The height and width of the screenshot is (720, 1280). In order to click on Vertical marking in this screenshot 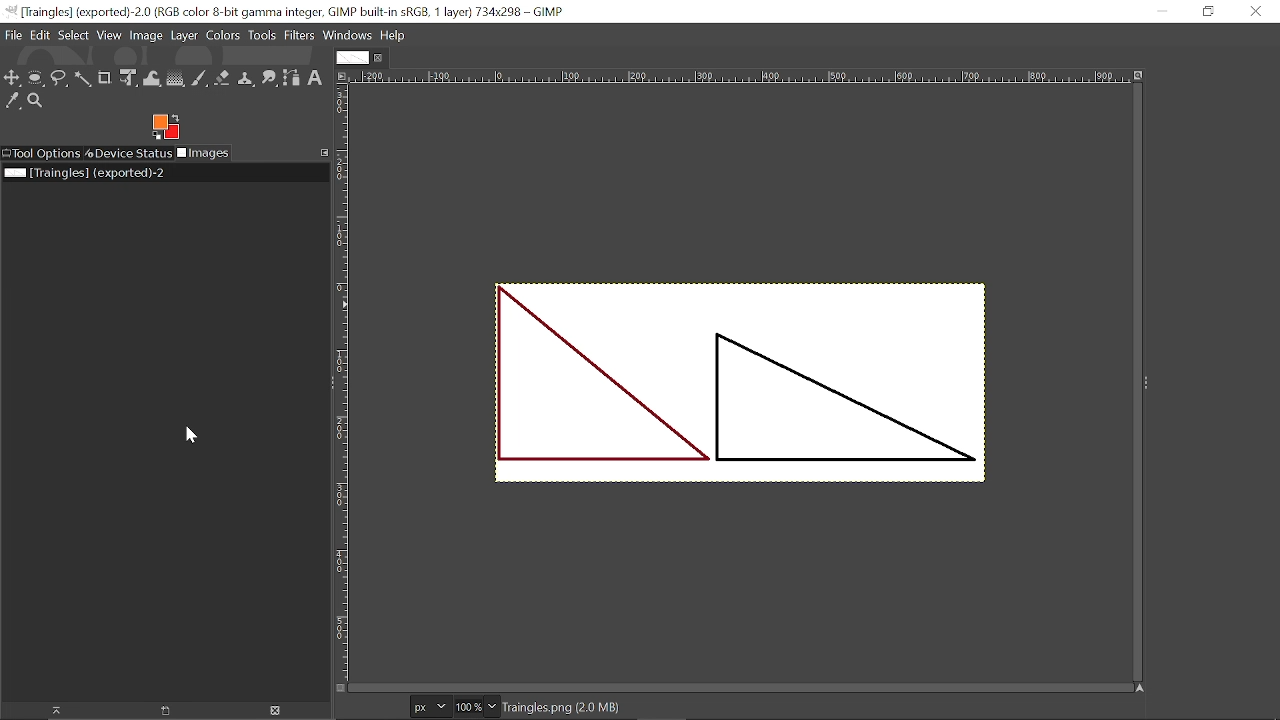, I will do `click(343, 381)`.